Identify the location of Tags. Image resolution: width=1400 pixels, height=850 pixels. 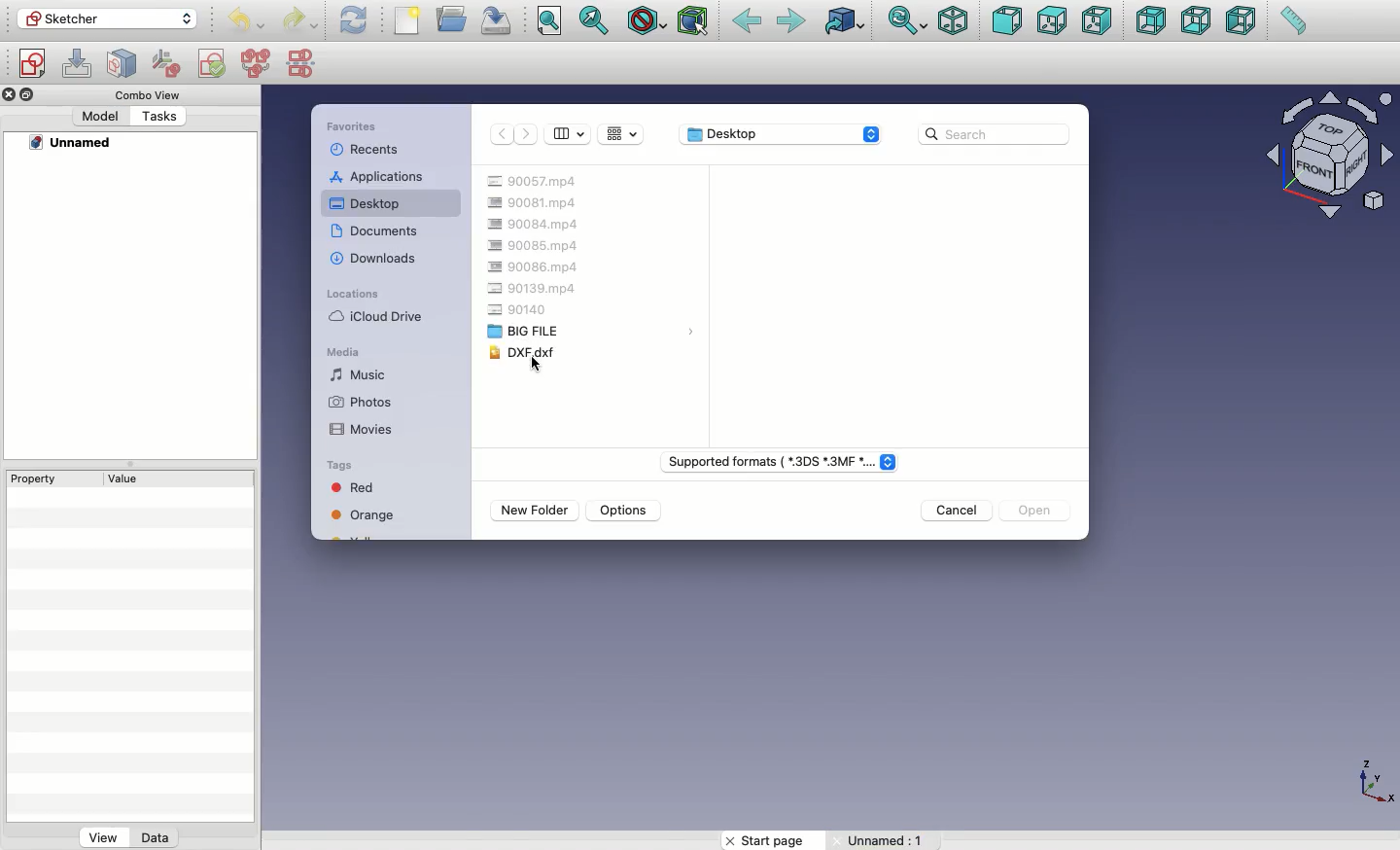
(340, 464).